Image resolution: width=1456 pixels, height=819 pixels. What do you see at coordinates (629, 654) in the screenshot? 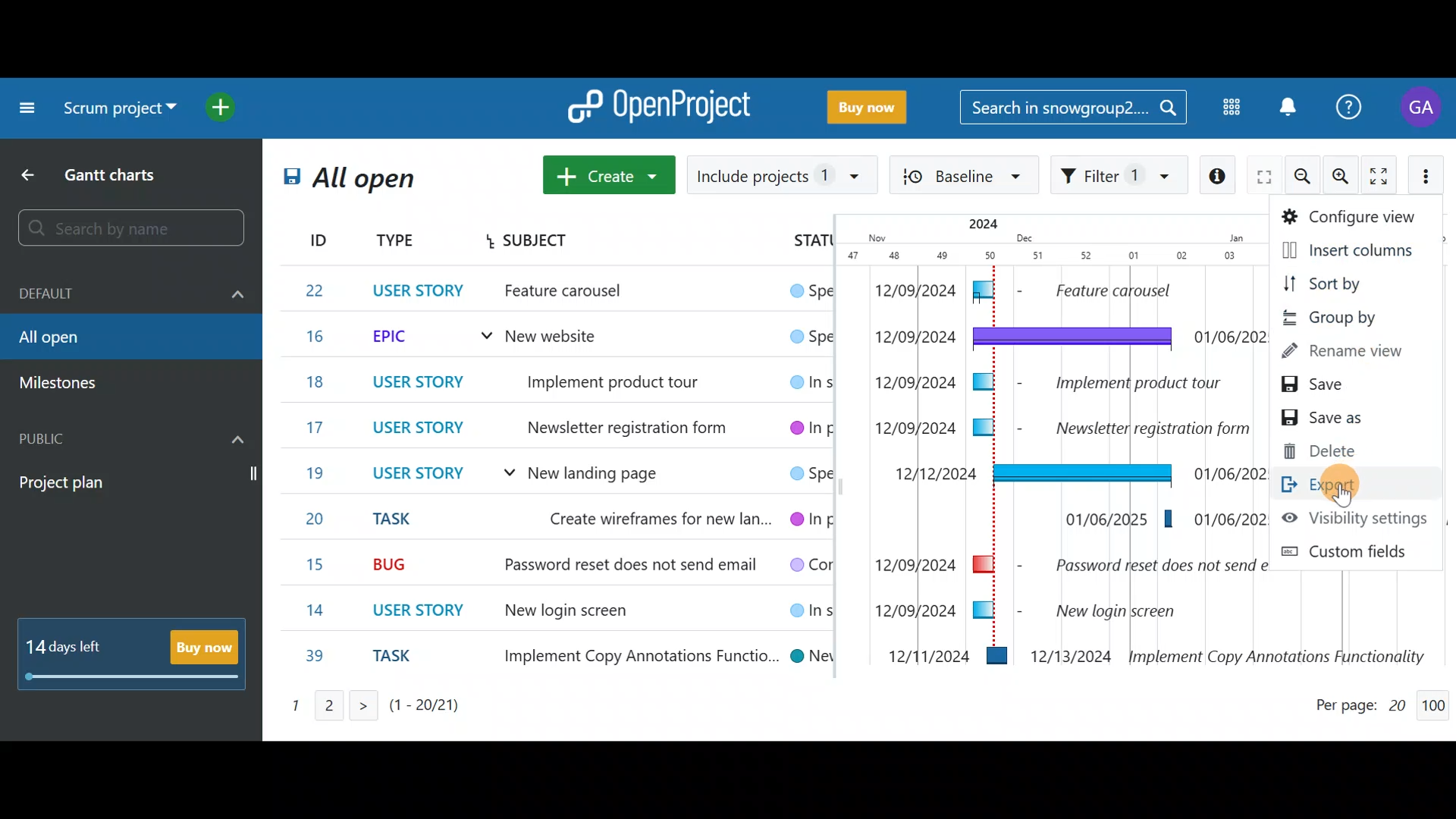
I see `Implement Copy Annotations Functionality` at bounding box center [629, 654].